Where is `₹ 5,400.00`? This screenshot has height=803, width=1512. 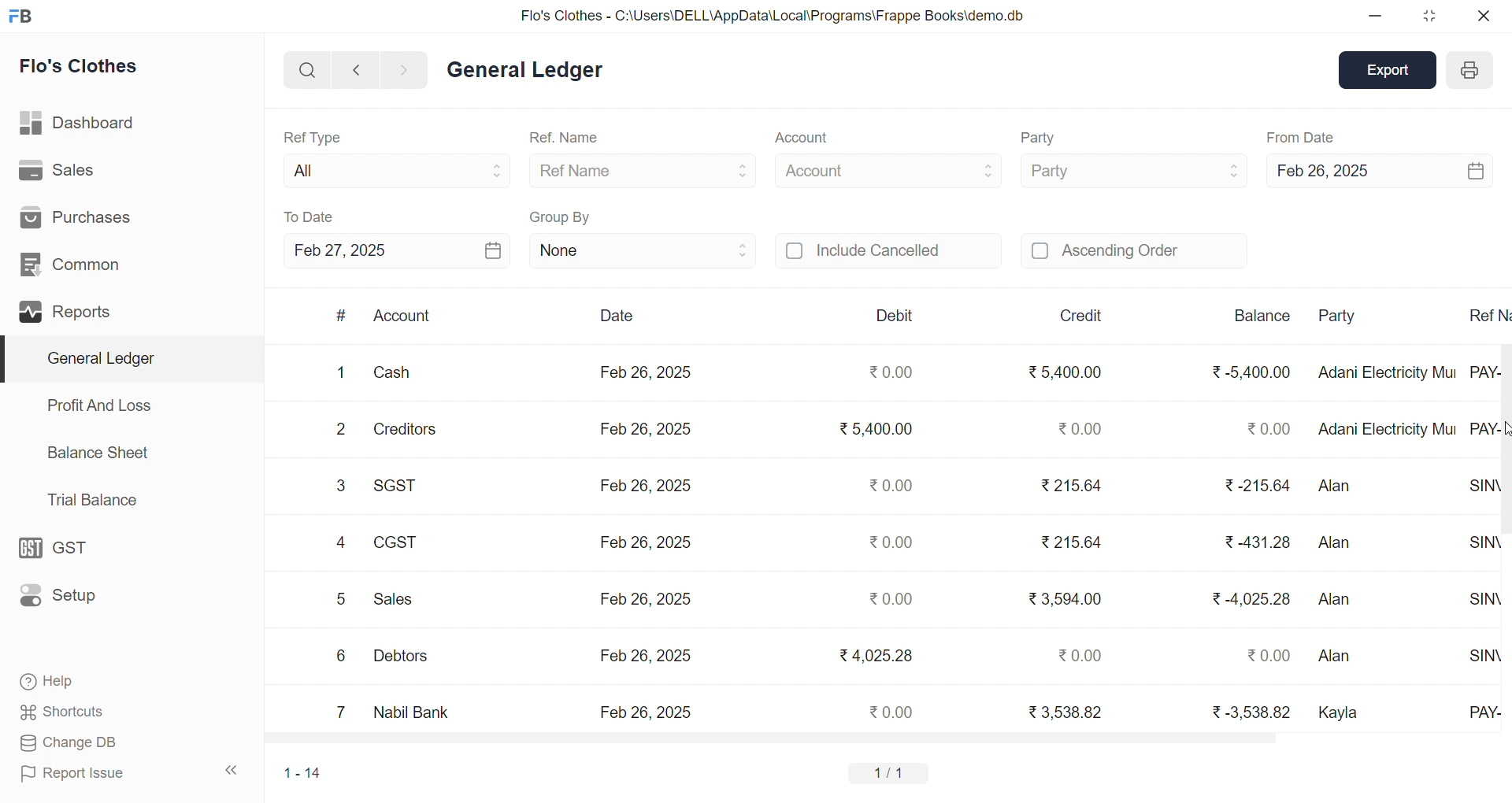
₹ 5,400.00 is located at coordinates (1067, 368).